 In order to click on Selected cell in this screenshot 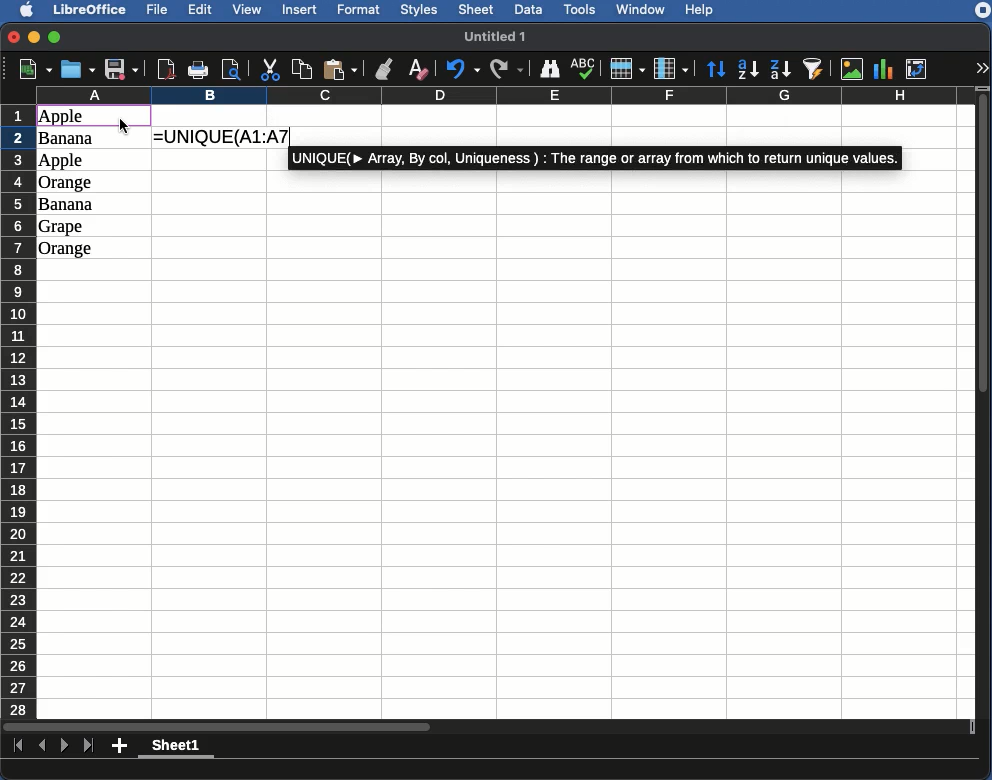, I will do `click(94, 115)`.